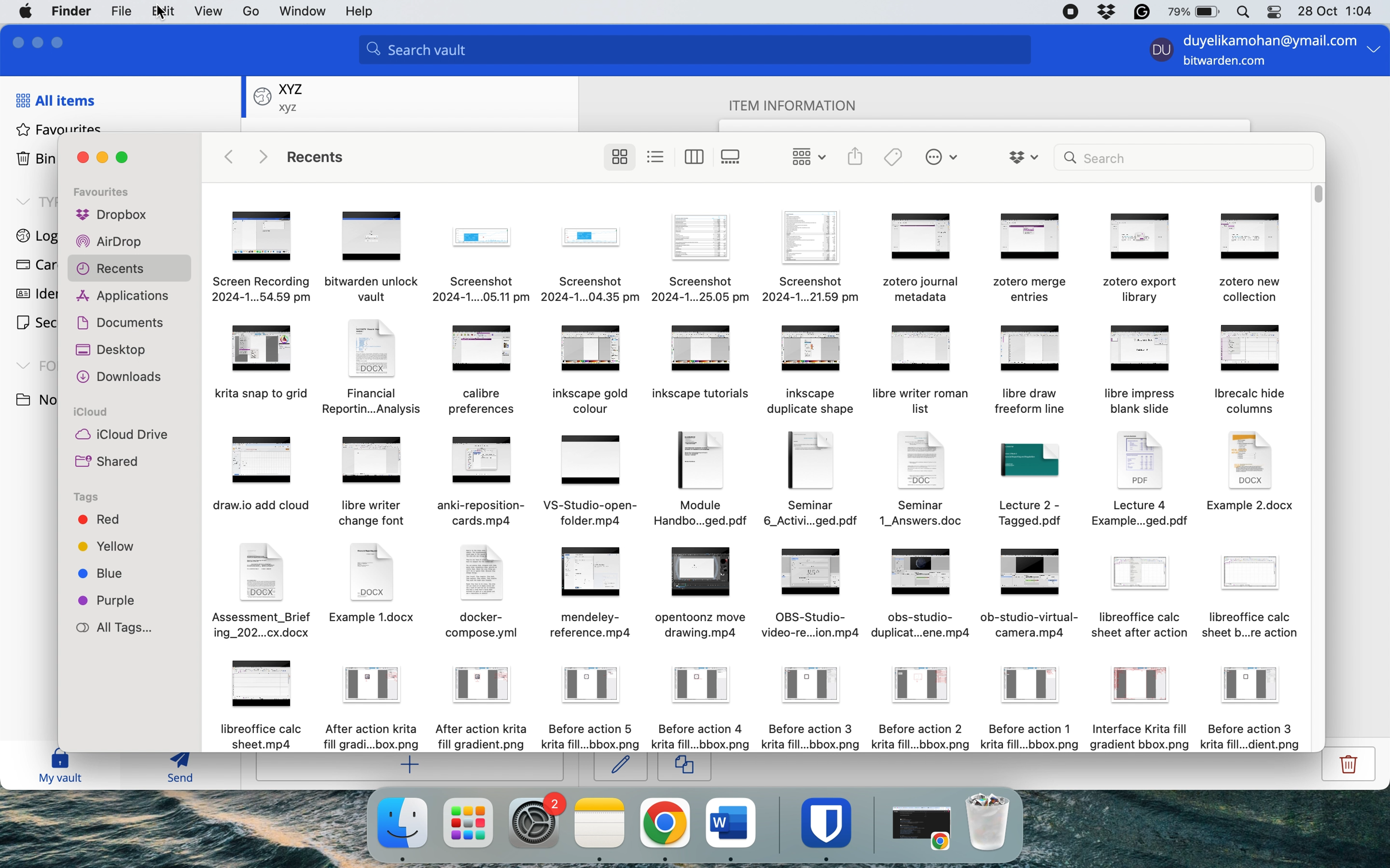 Image resolution: width=1390 pixels, height=868 pixels. I want to click on downloads, so click(123, 378).